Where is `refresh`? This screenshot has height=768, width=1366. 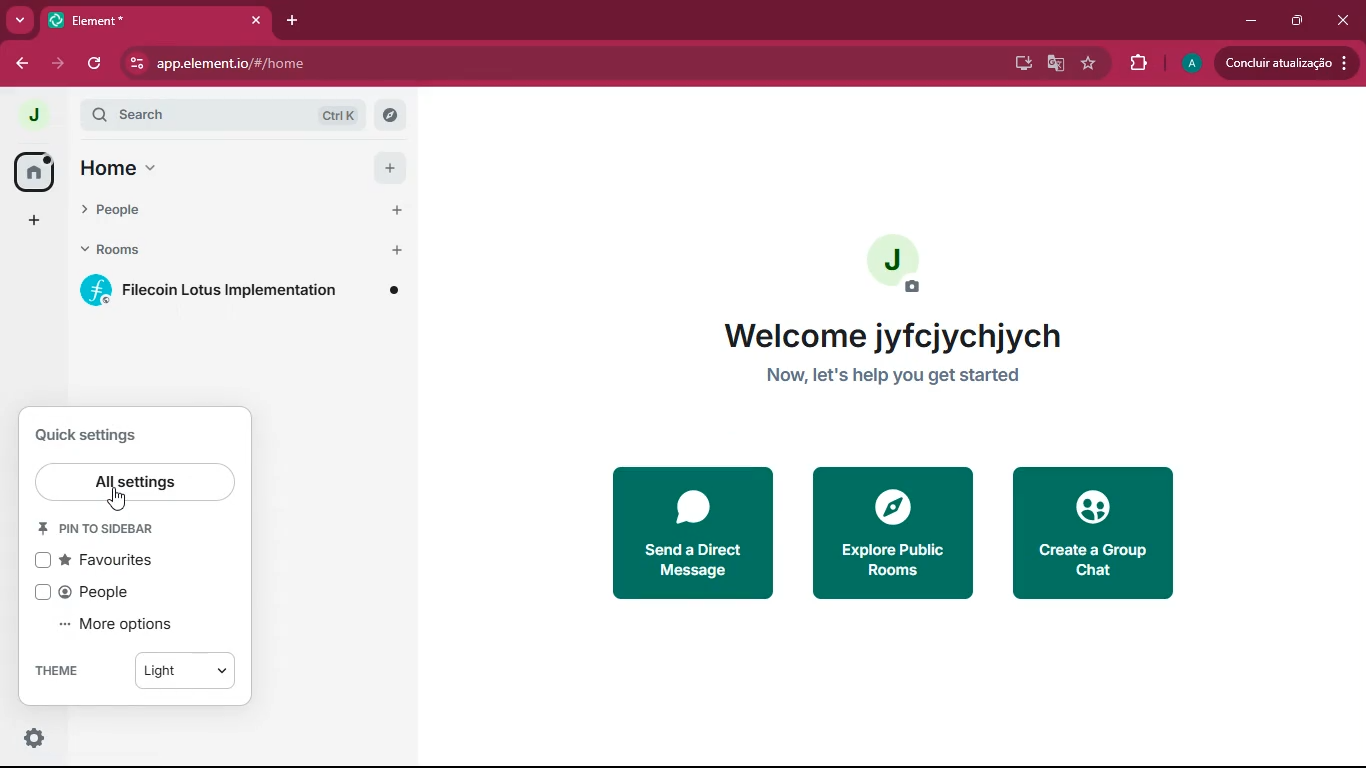
refresh is located at coordinates (98, 63).